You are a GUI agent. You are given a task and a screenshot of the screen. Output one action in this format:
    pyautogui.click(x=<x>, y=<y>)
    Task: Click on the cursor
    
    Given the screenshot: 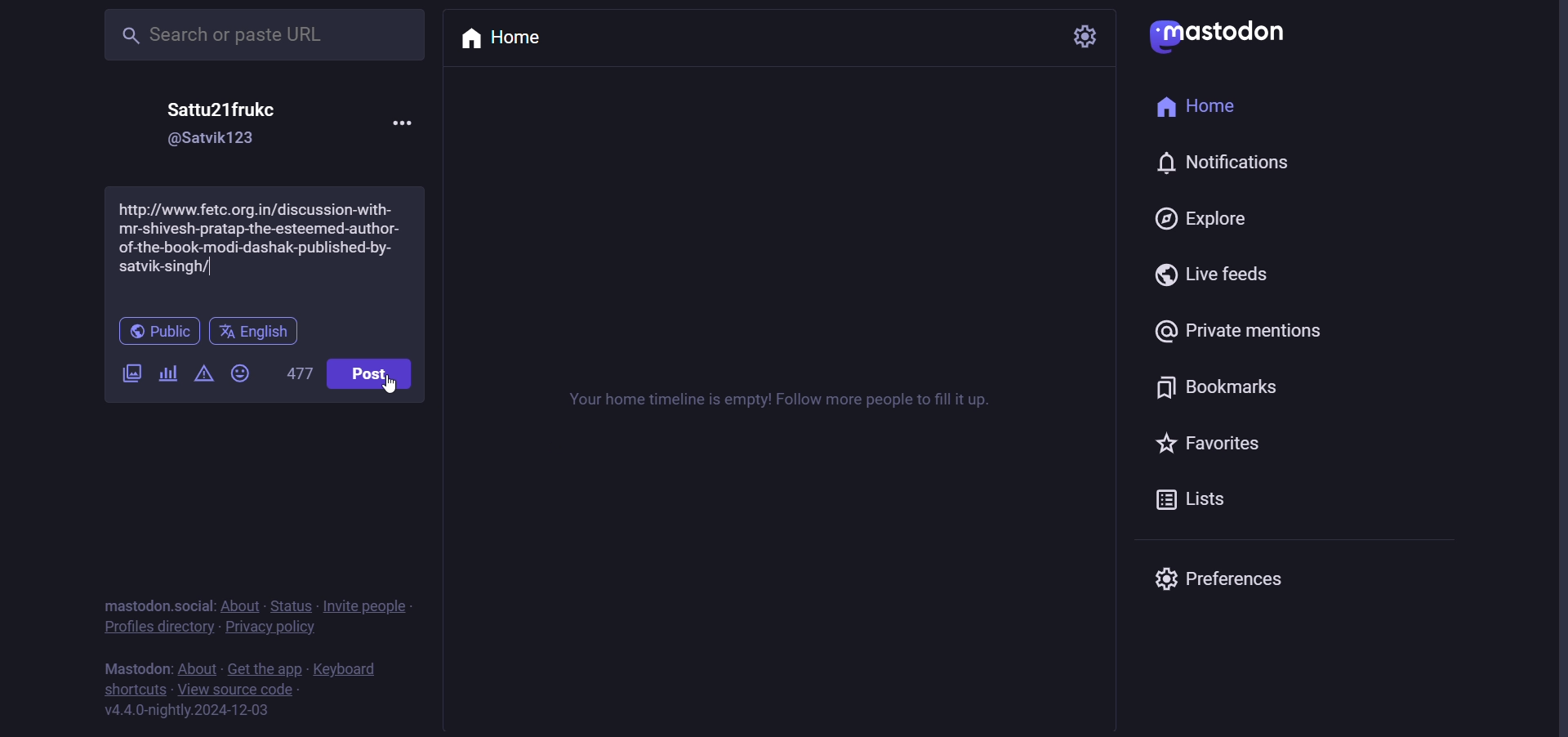 What is the action you would take?
    pyautogui.click(x=394, y=387)
    